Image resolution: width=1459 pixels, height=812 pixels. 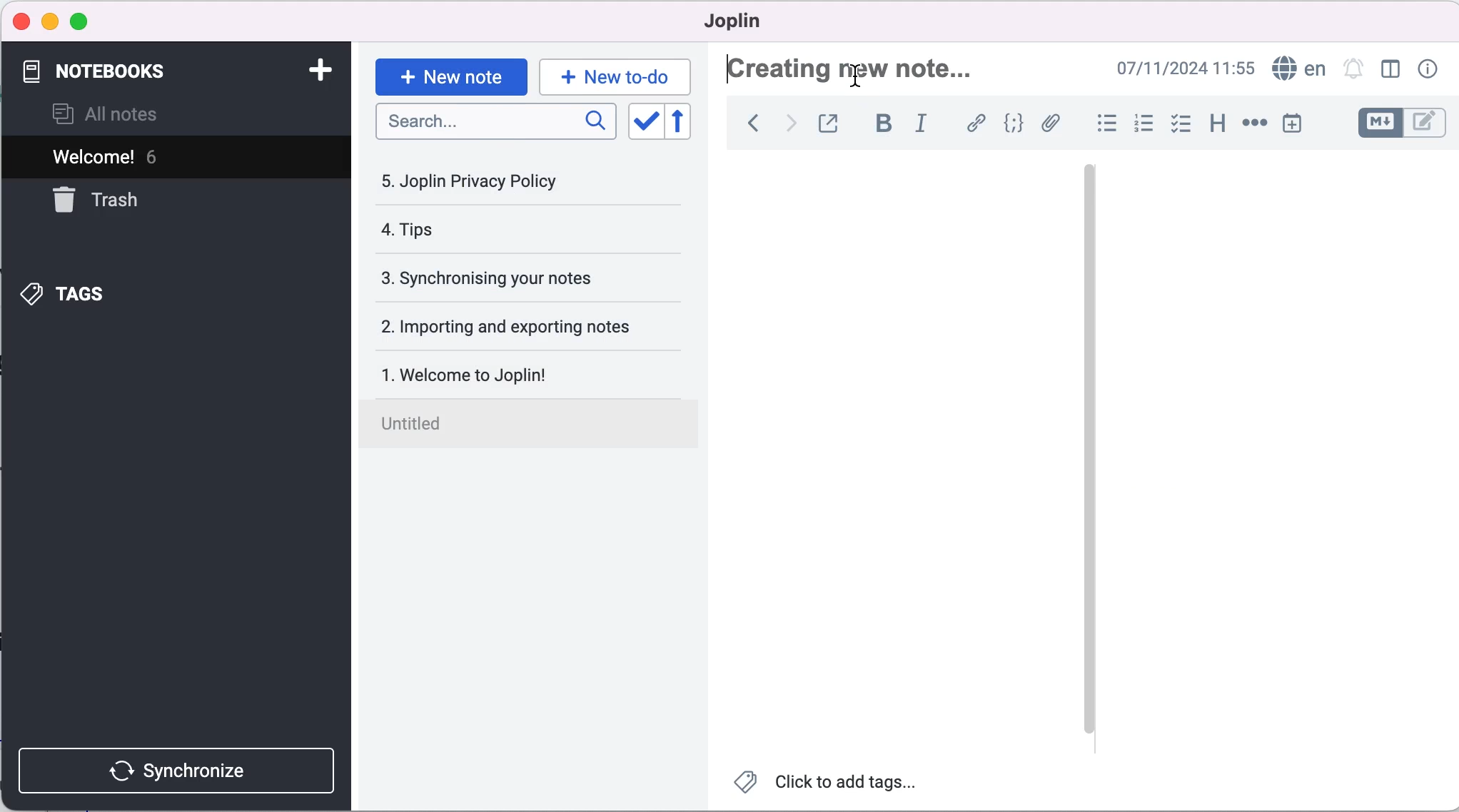 What do you see at coordinates (1301, 123) in the screenshot?
I see `insert time` at bounding box center [1301, 123].